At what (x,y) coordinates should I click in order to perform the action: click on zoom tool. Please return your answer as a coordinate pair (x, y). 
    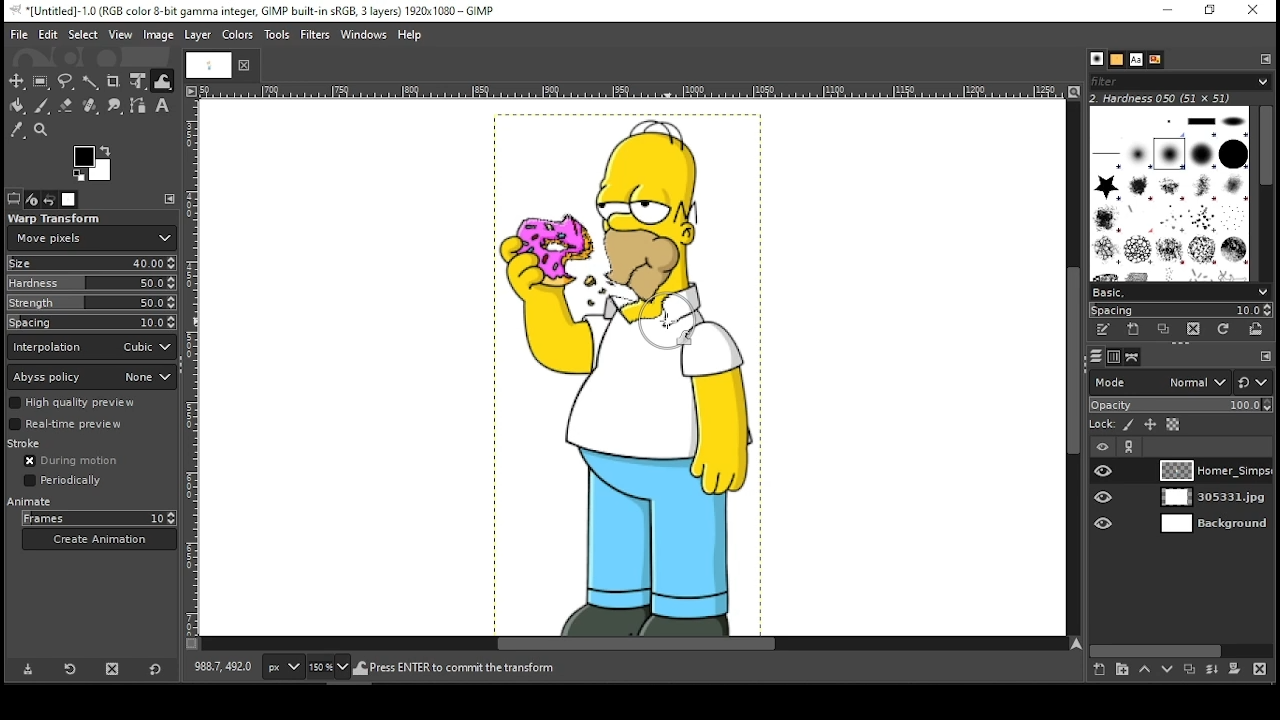
    Looking at the image, I should click on (42, 131).